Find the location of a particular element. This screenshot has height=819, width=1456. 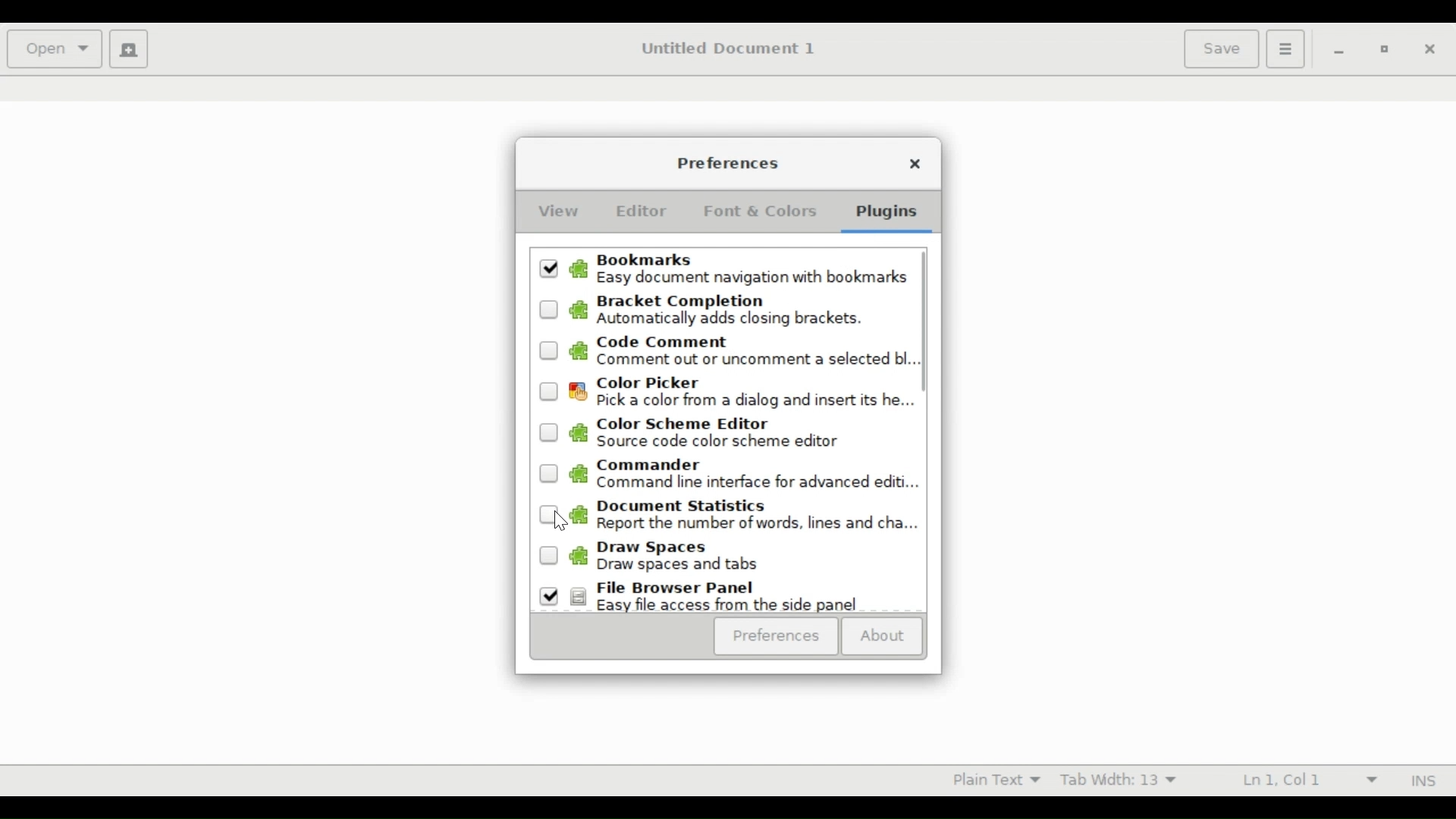

Unselected is located at coordinates (549, 309).